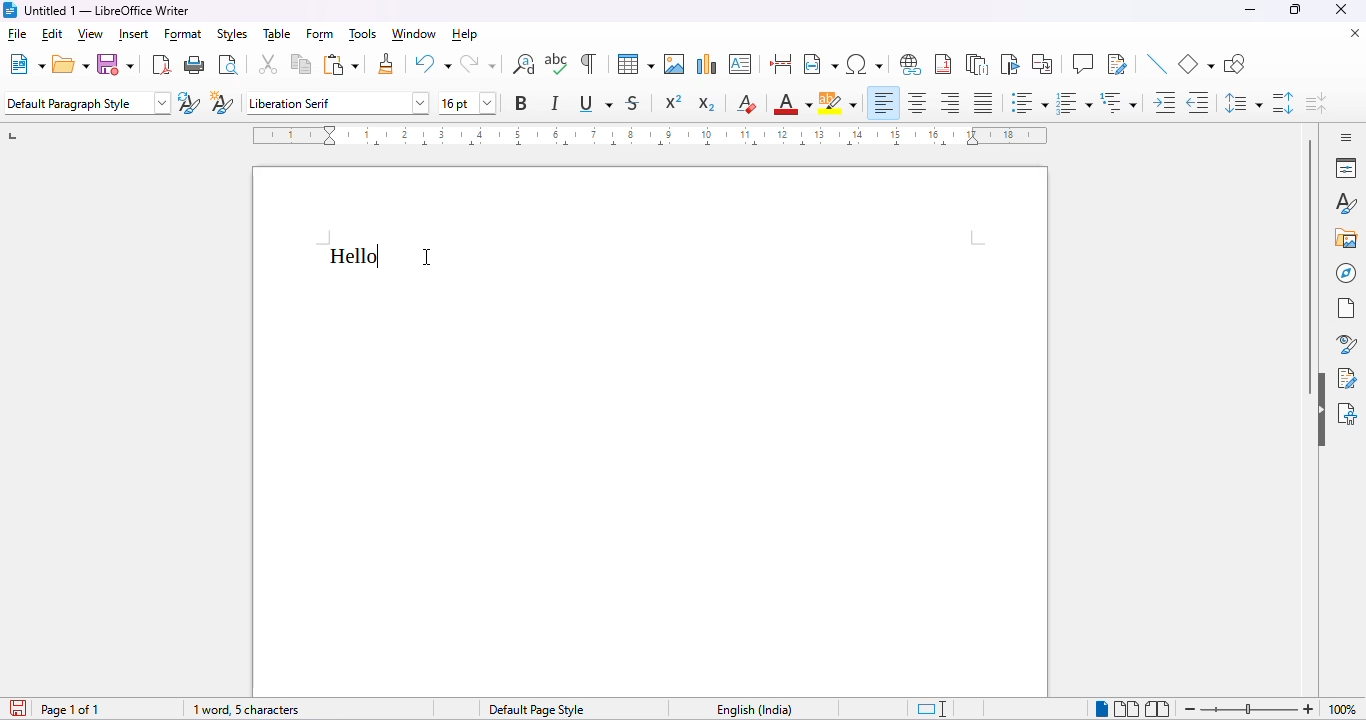 Image resolution: width=1366 pixels, height=720 pixels. Describe the element at coordinates (912, 65) in the screenshot. I see `insert hyperlink` at that location.